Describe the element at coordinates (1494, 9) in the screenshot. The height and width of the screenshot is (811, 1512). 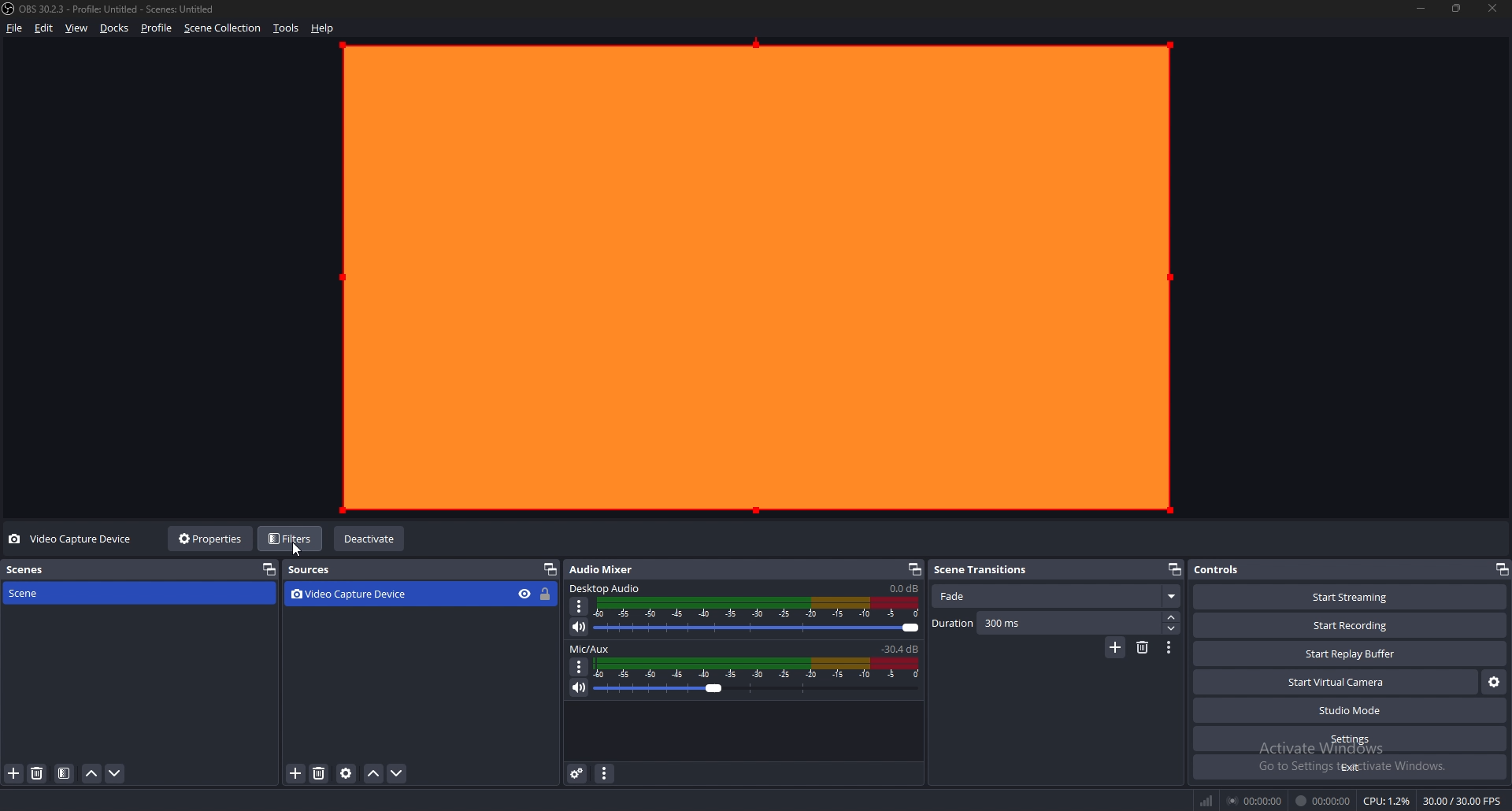
I see `close` at that location.